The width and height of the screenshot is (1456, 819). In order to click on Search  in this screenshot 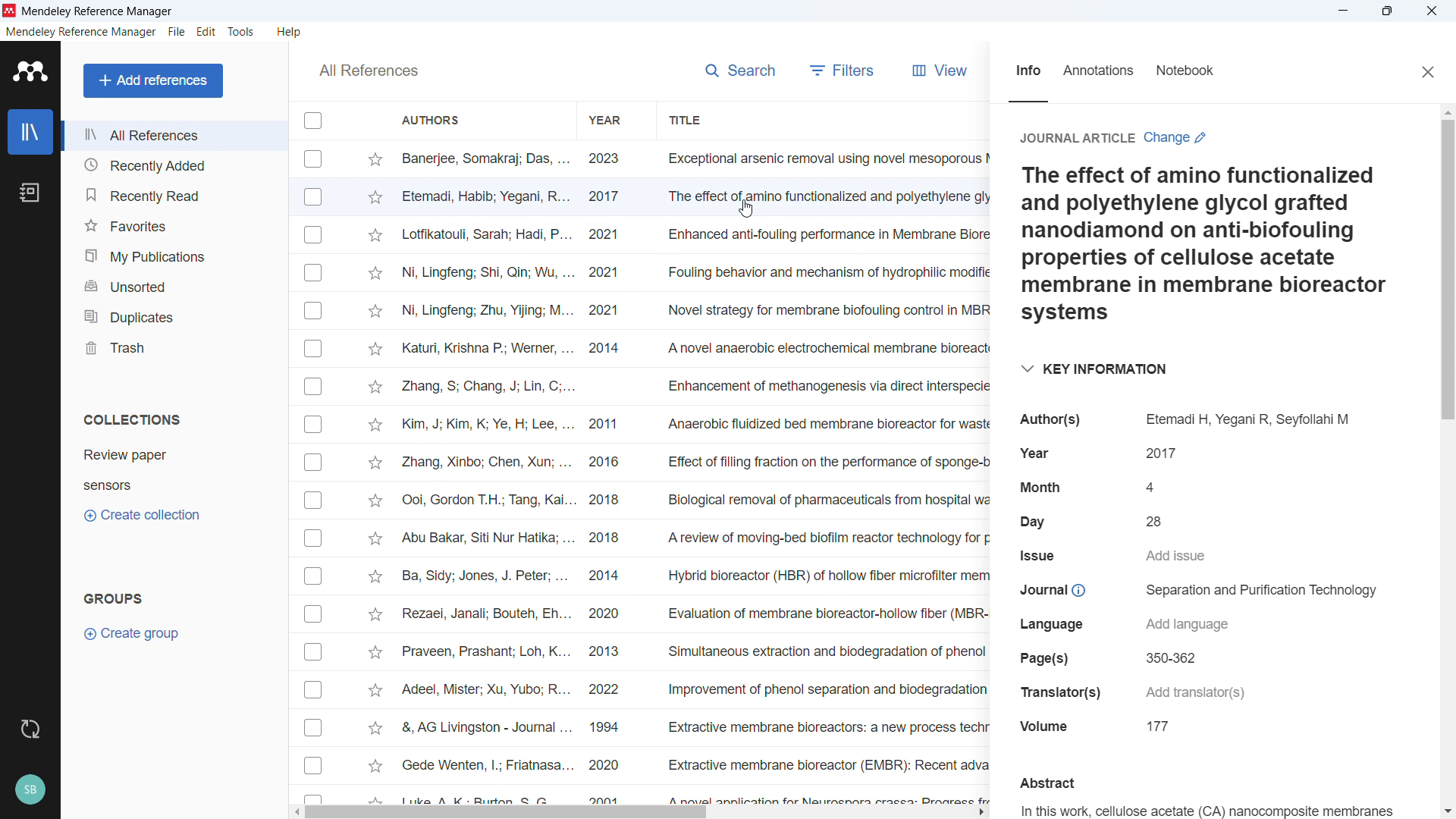, I will do `click(741, 70)`.